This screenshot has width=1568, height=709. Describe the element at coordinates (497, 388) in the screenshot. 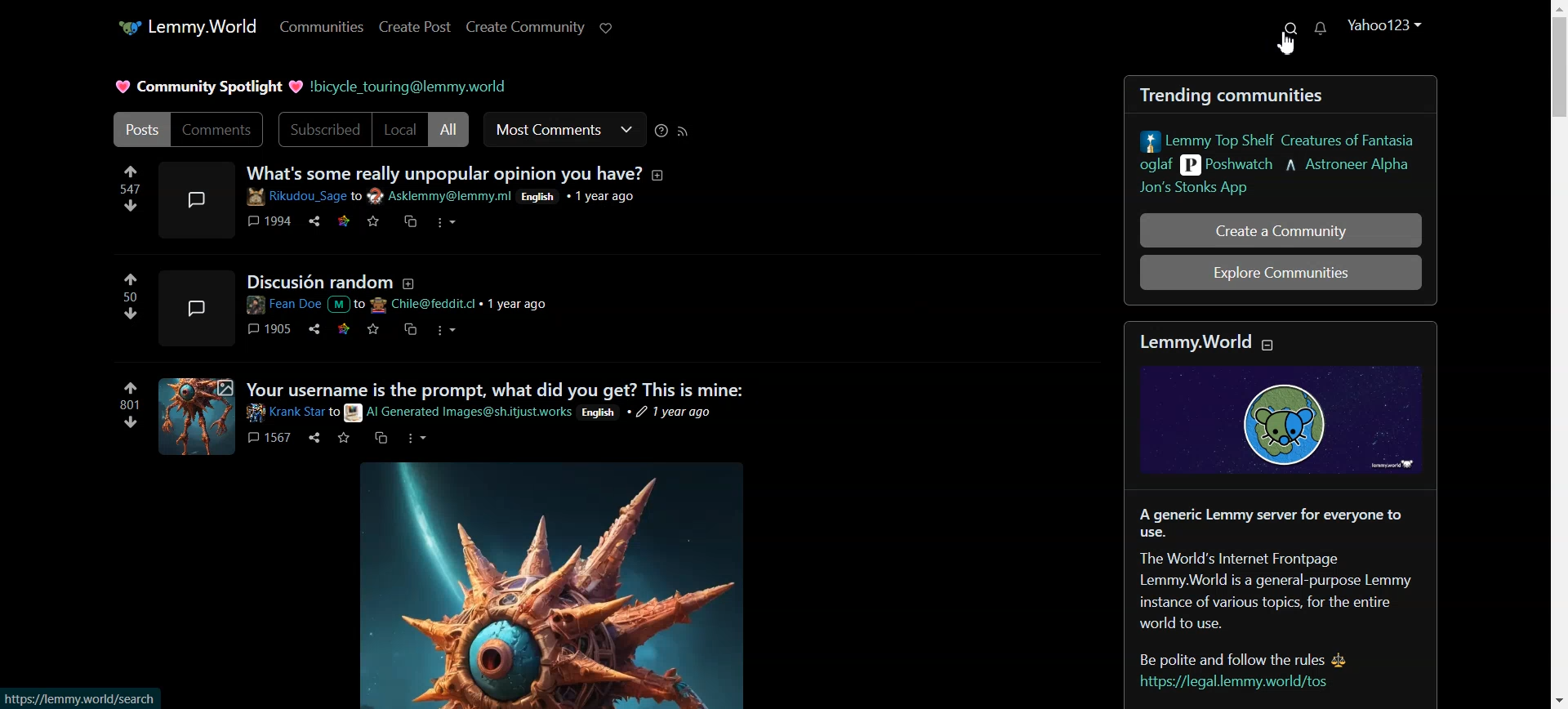

I see `Your username is the prompt, what did you get? This is mine:` at that location.